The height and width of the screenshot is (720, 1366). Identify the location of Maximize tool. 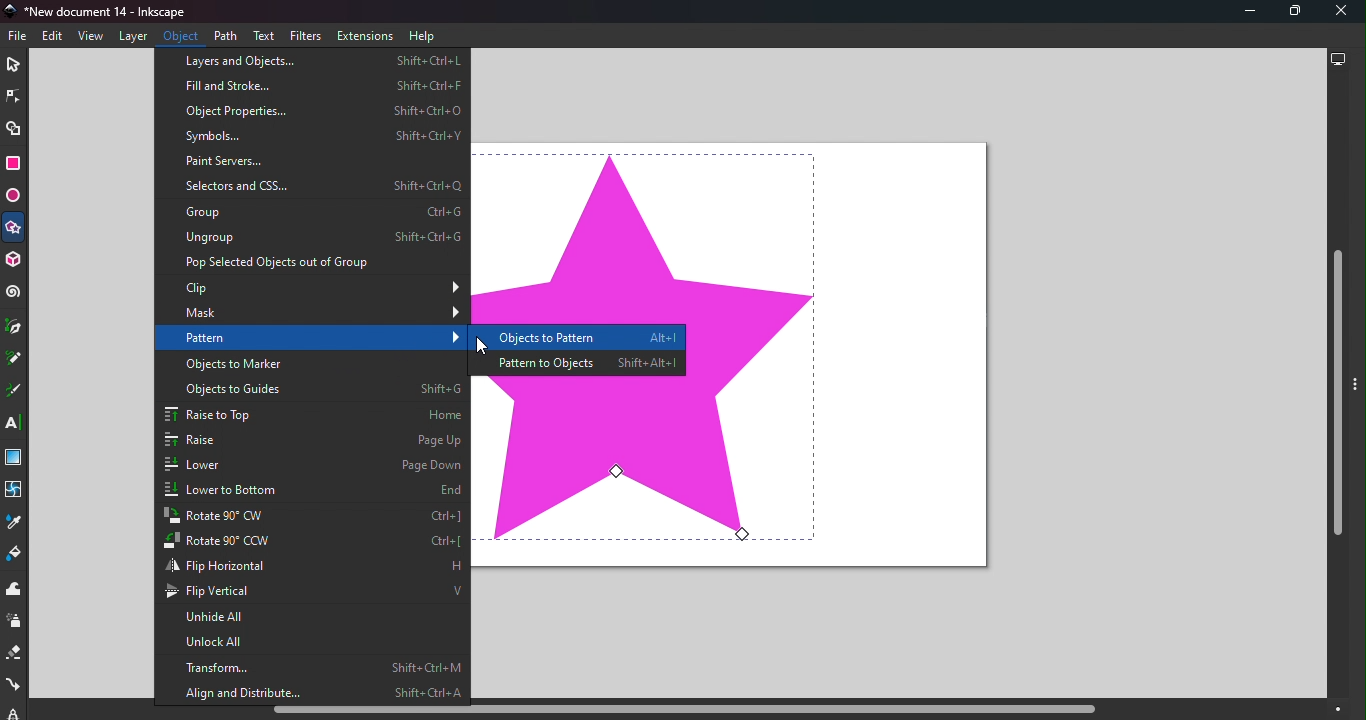
(1290, 11).